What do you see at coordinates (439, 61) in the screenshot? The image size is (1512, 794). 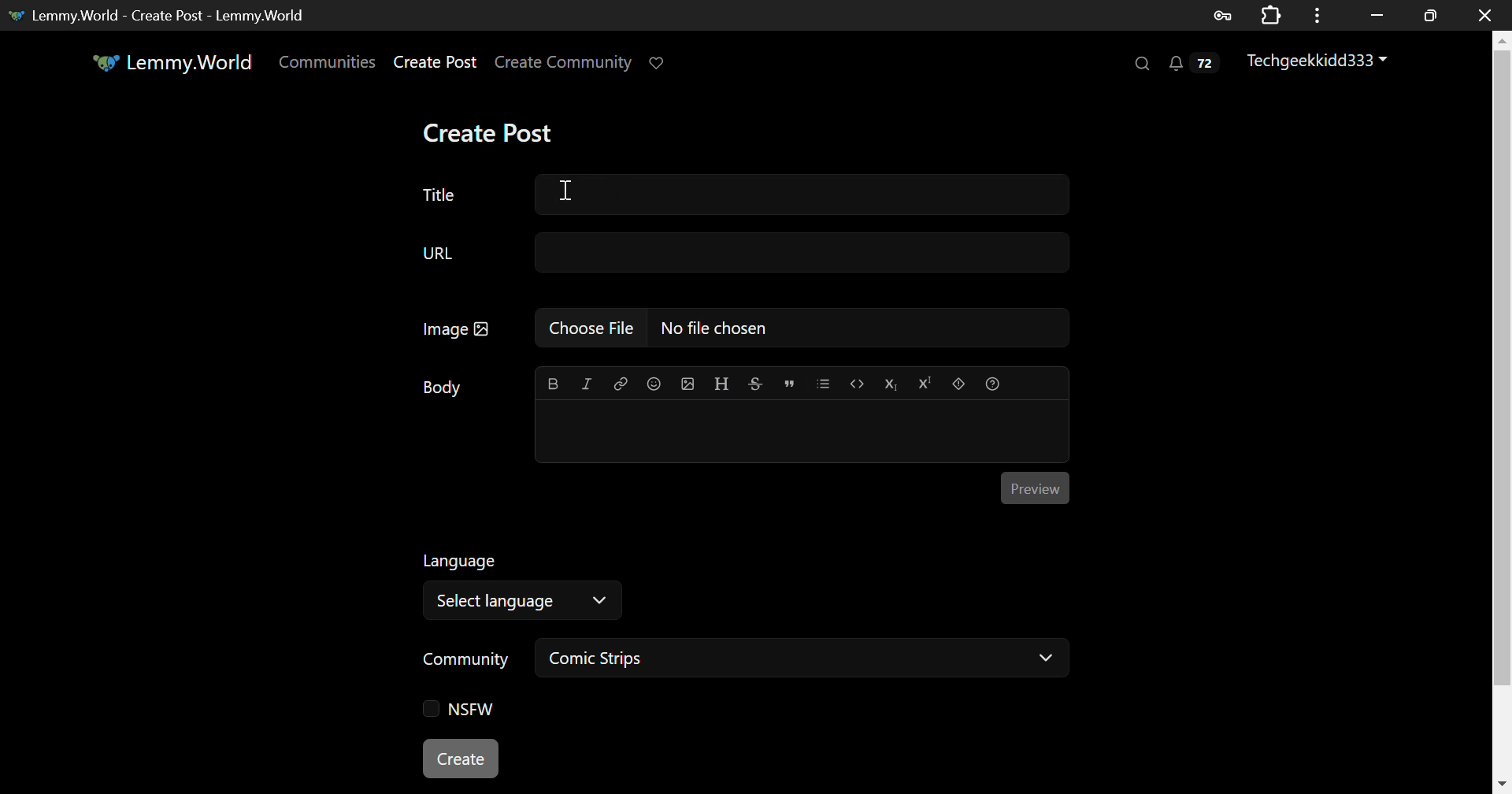 I see `Create Post Page Hyperlink` at bounding box center [439, 61].